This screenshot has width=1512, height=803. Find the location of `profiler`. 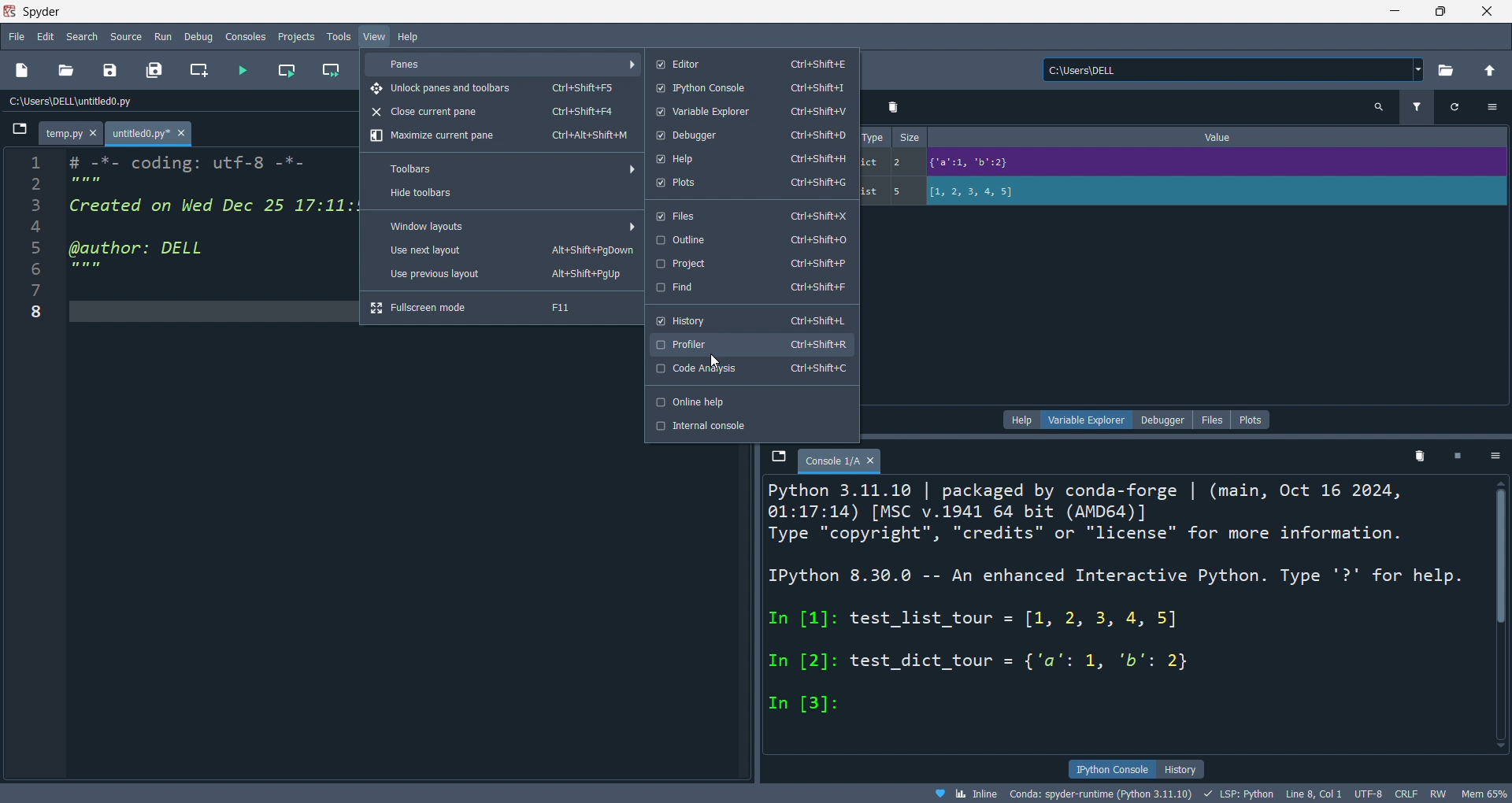

profiler is located at coordinates (752, 346).